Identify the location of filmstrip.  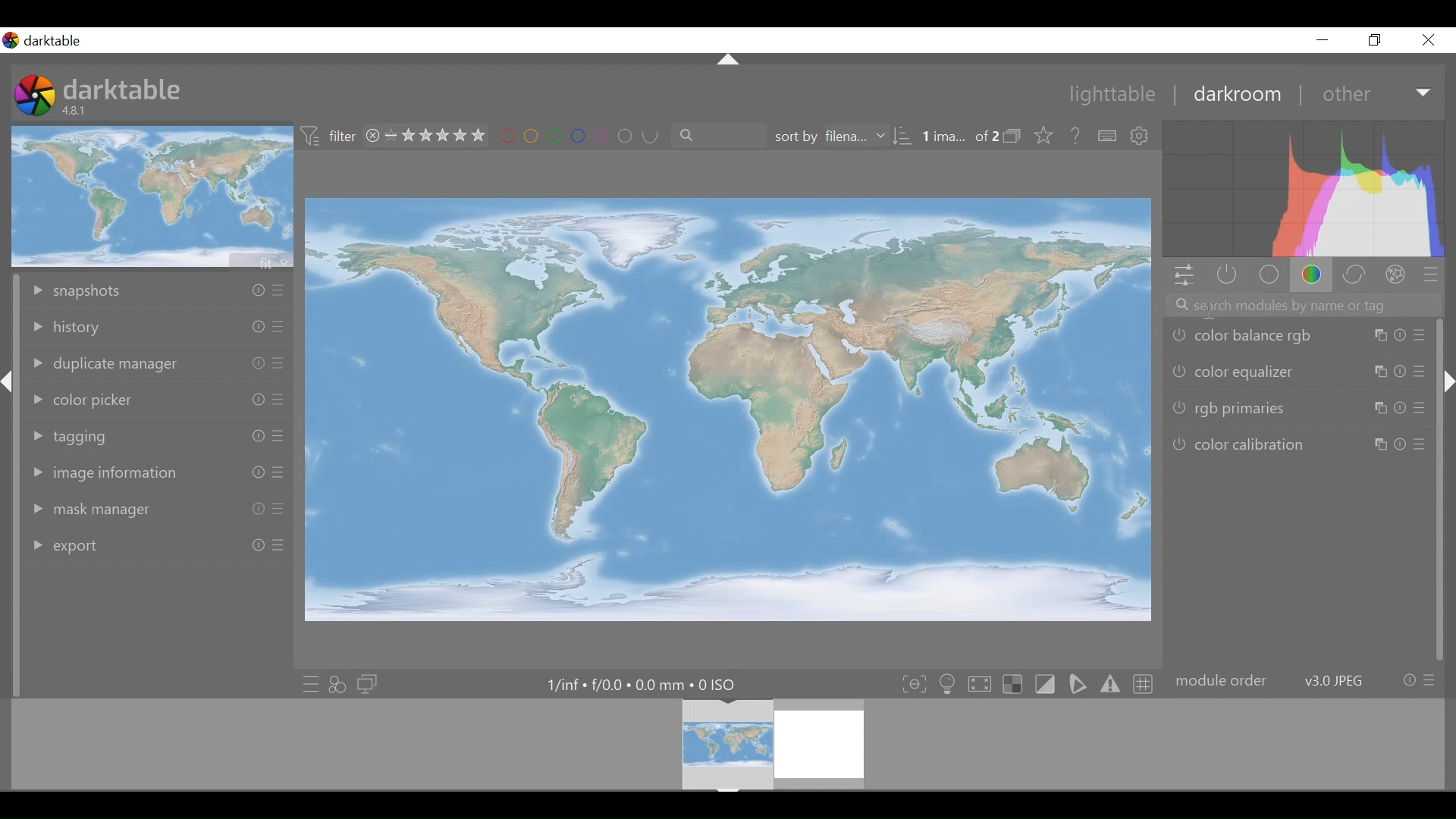
(726, 744).